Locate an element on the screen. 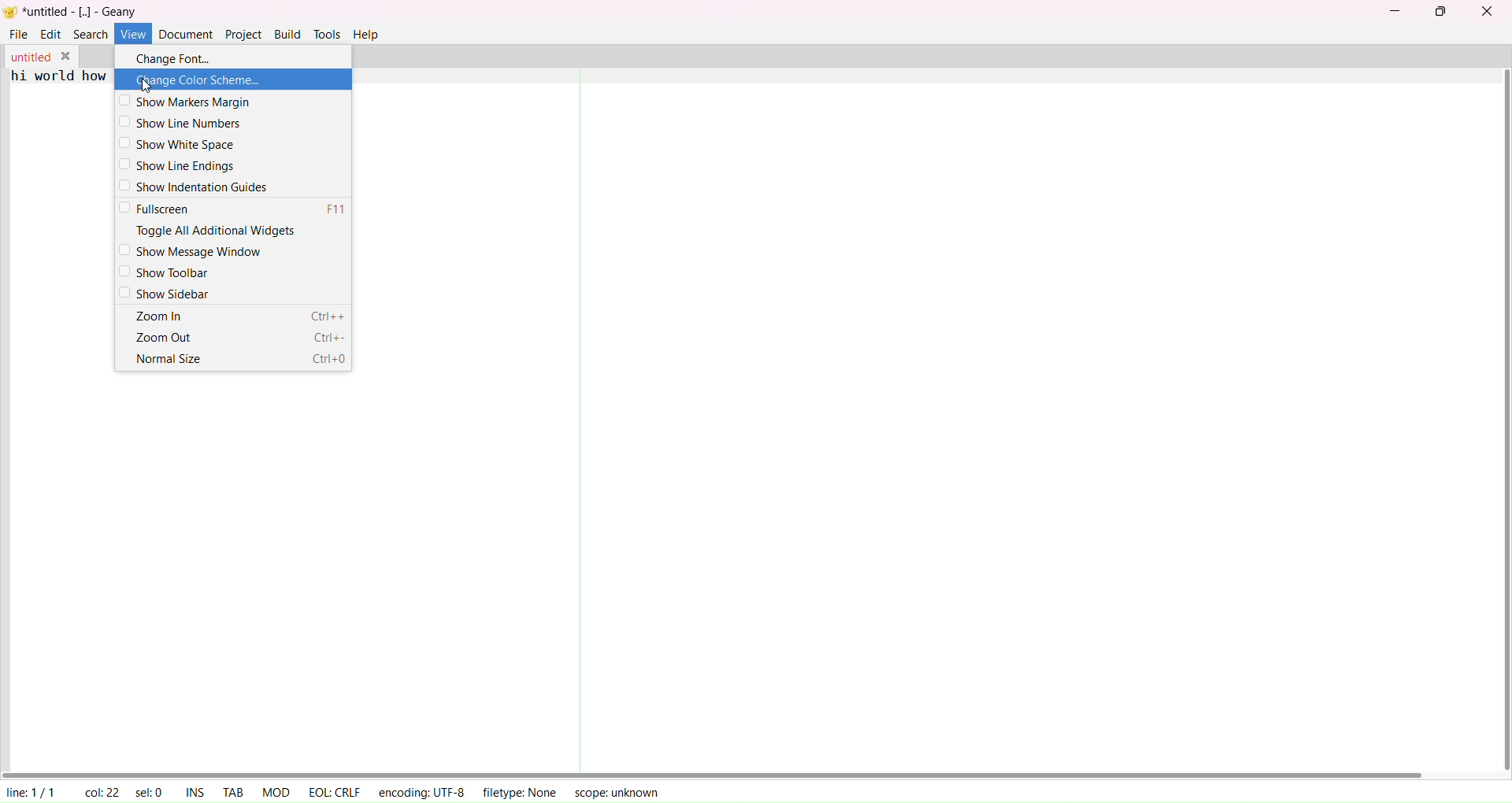  hi world text is located at coordinates (60, 86).